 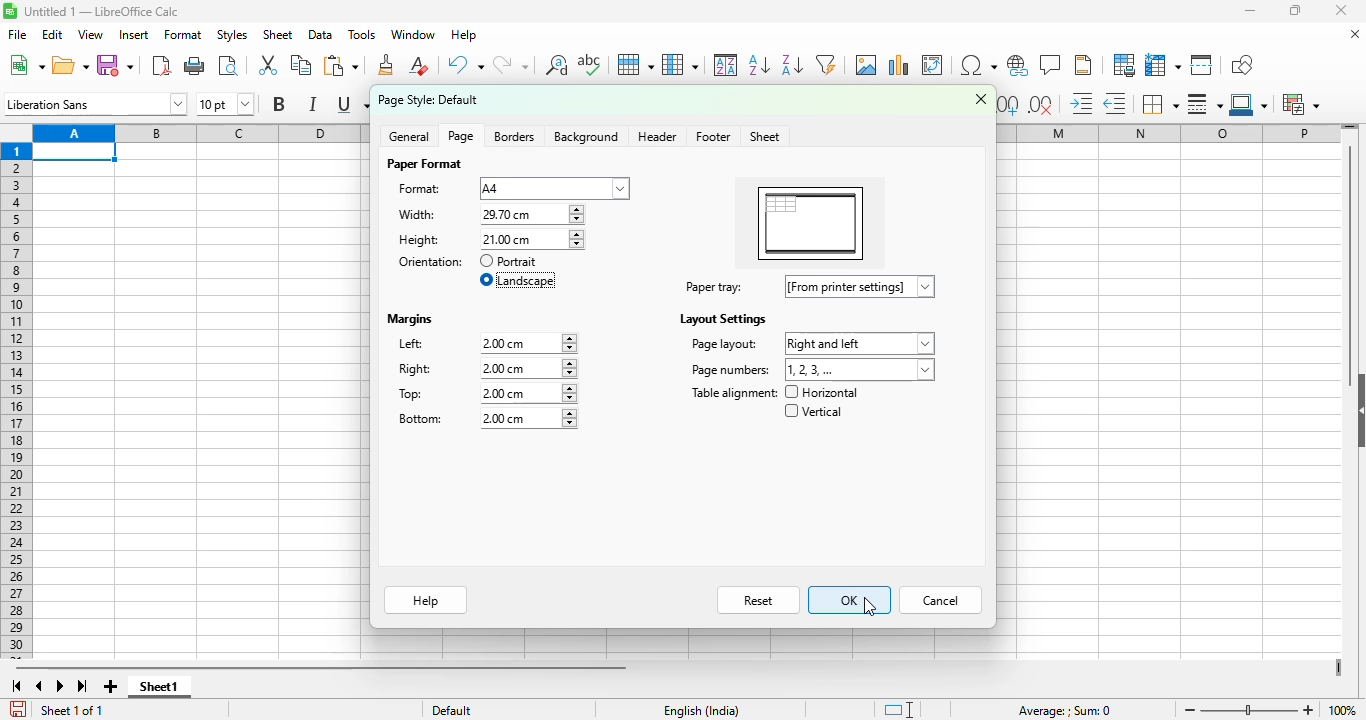 What do you see at coordinates (731, 370) in the screenshot?
I see `page numbers: ` at bounding box center [731, 370].